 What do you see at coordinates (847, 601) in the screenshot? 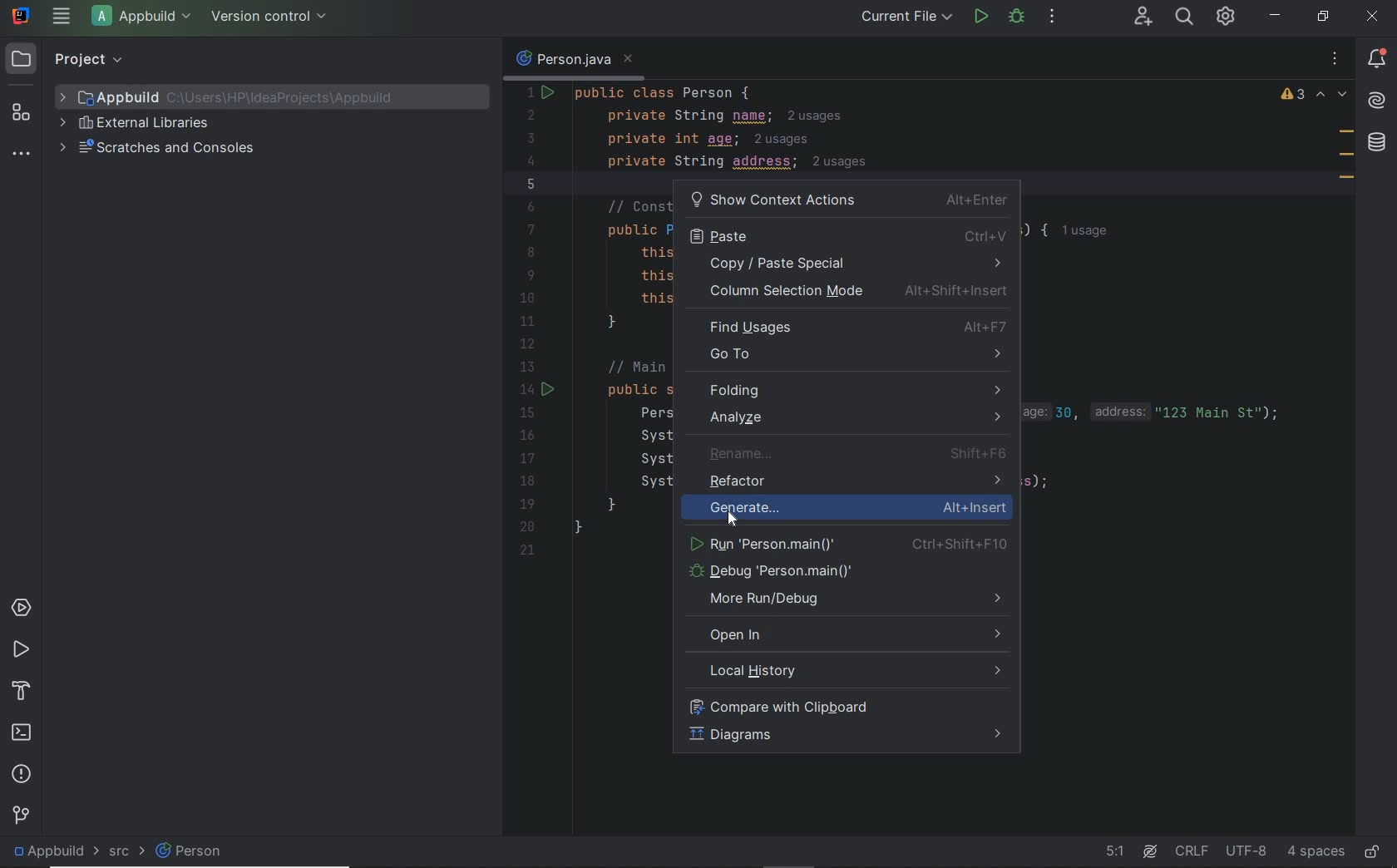
I see `more run/debug` at bounding box center [847, 601].